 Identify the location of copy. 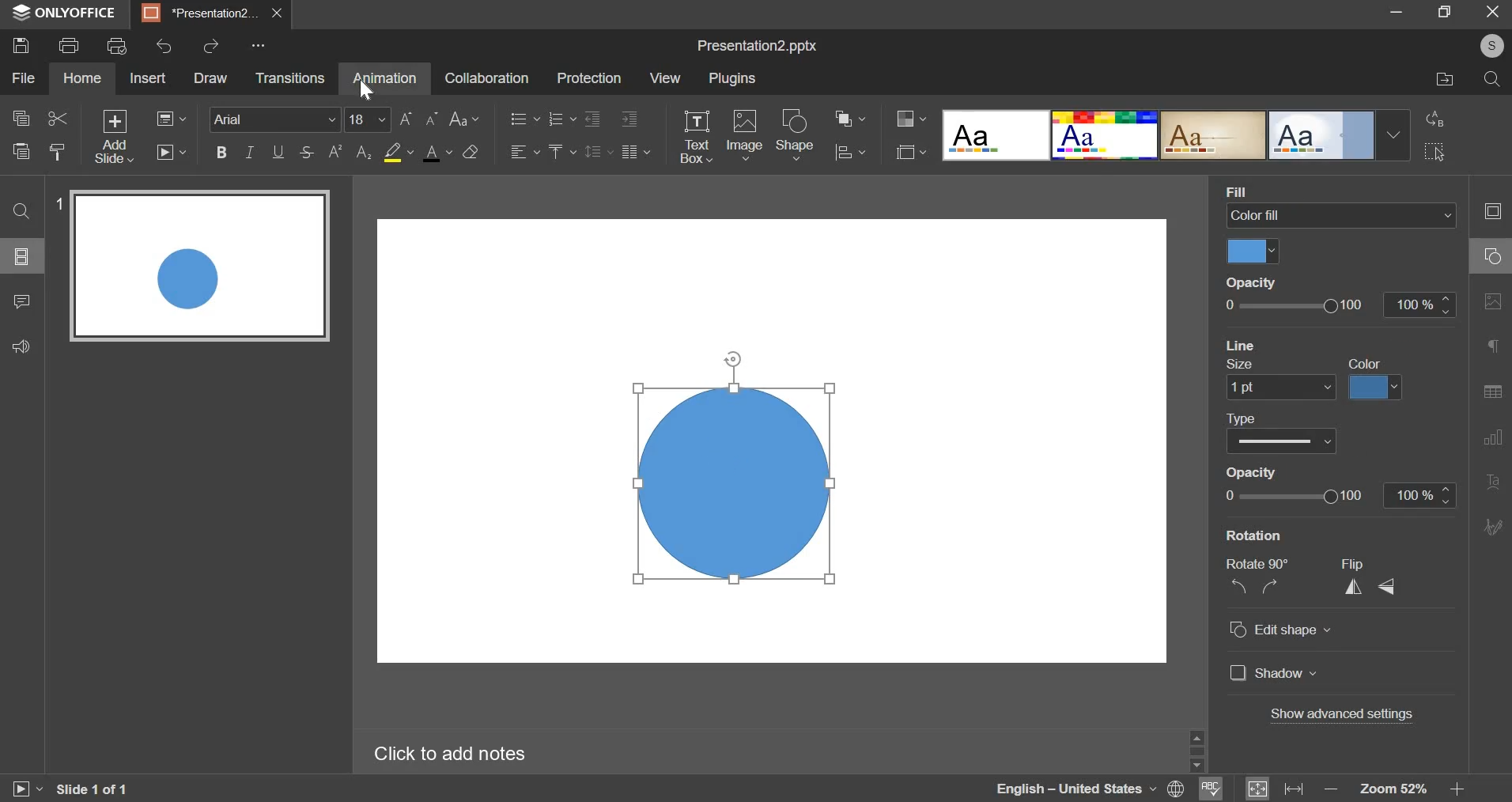
(20, 116).